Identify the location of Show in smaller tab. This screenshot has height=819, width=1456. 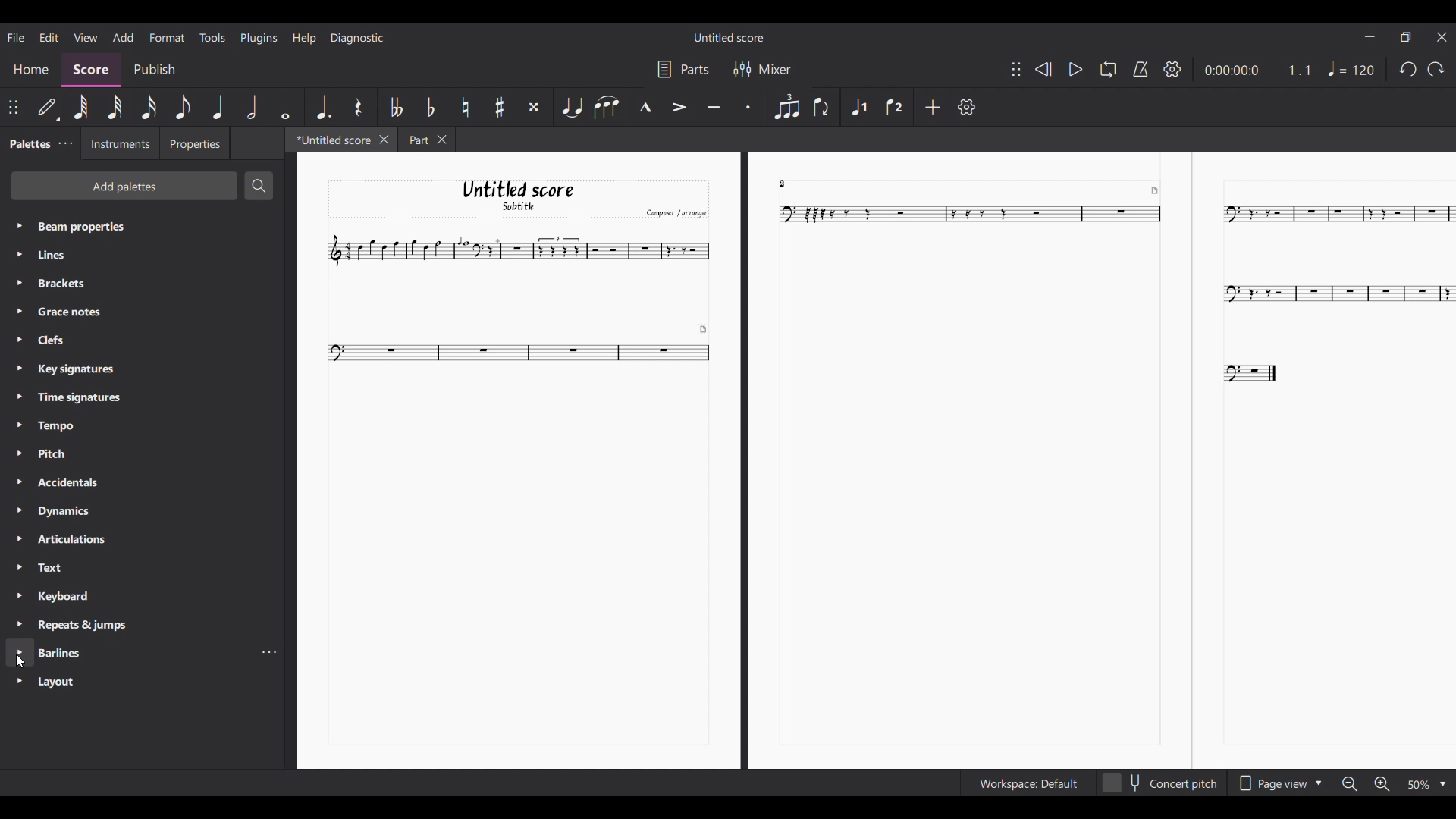
(1407, 37).